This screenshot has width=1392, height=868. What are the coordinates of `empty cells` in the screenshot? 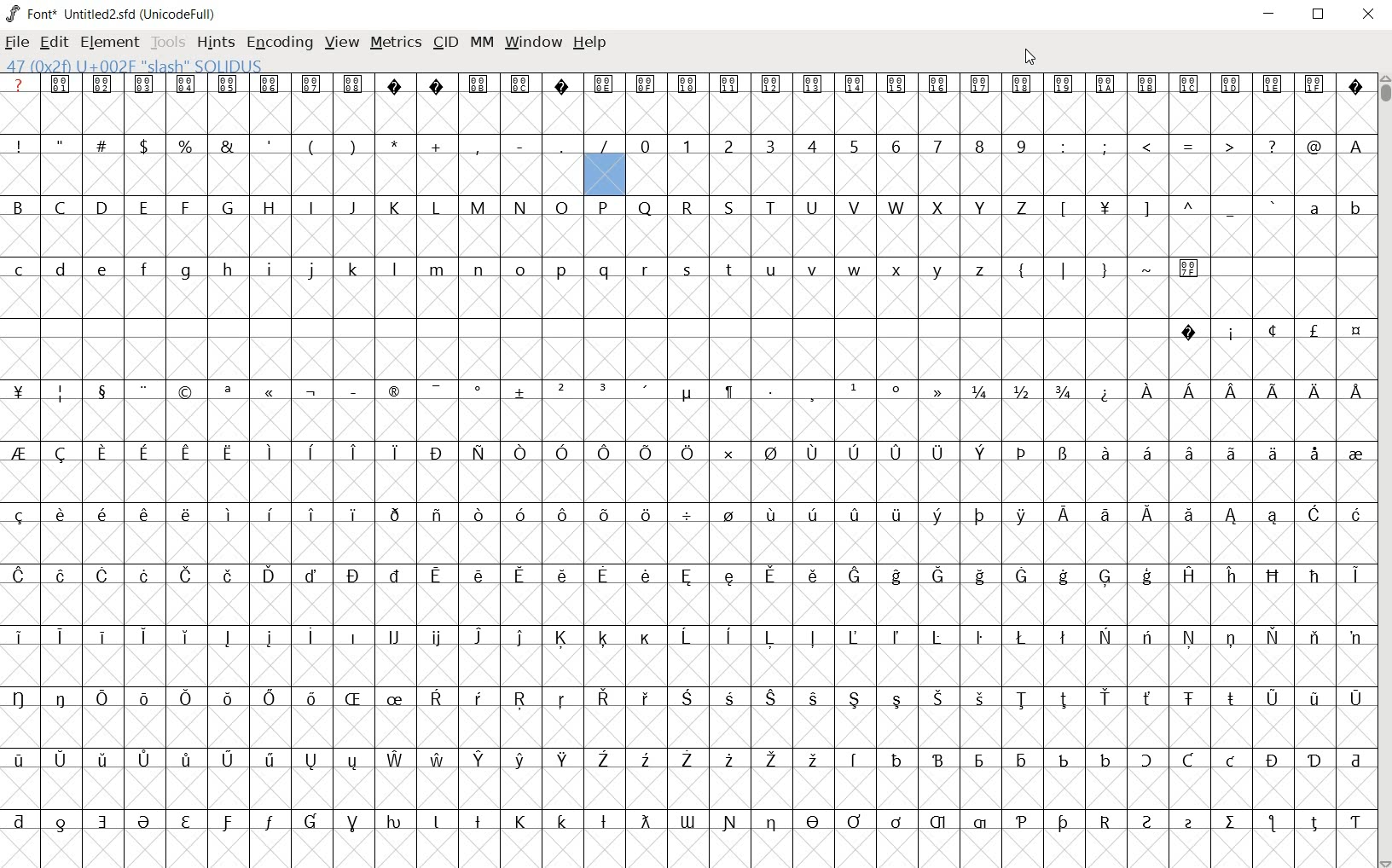 It's located at (688, 115).